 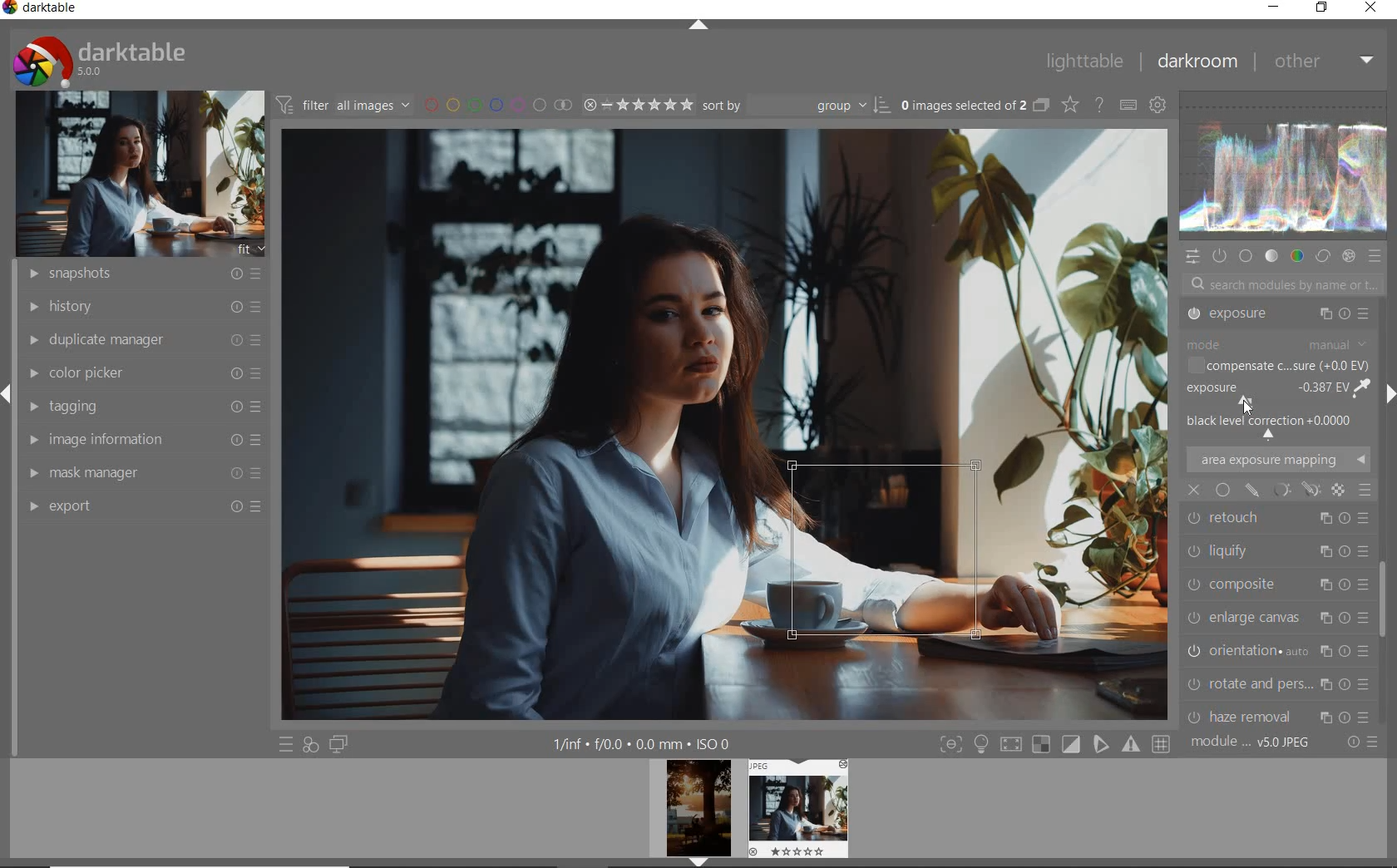 I want to click on ENABLE FOR ONLINE HELP, so click(x=1099, y=105).